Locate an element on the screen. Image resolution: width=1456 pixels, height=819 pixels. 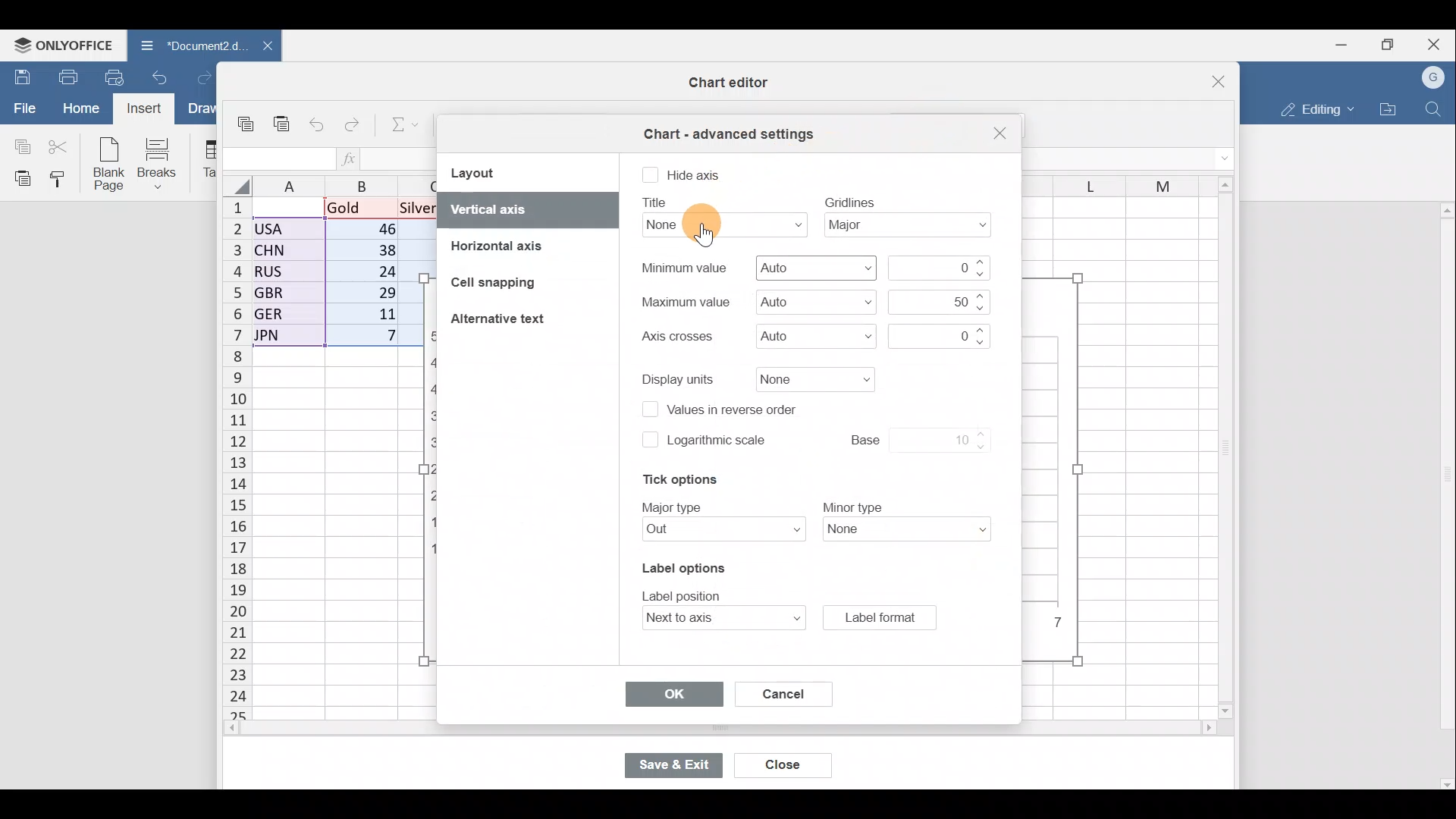
Tick options is located at coordinates (673, 479).